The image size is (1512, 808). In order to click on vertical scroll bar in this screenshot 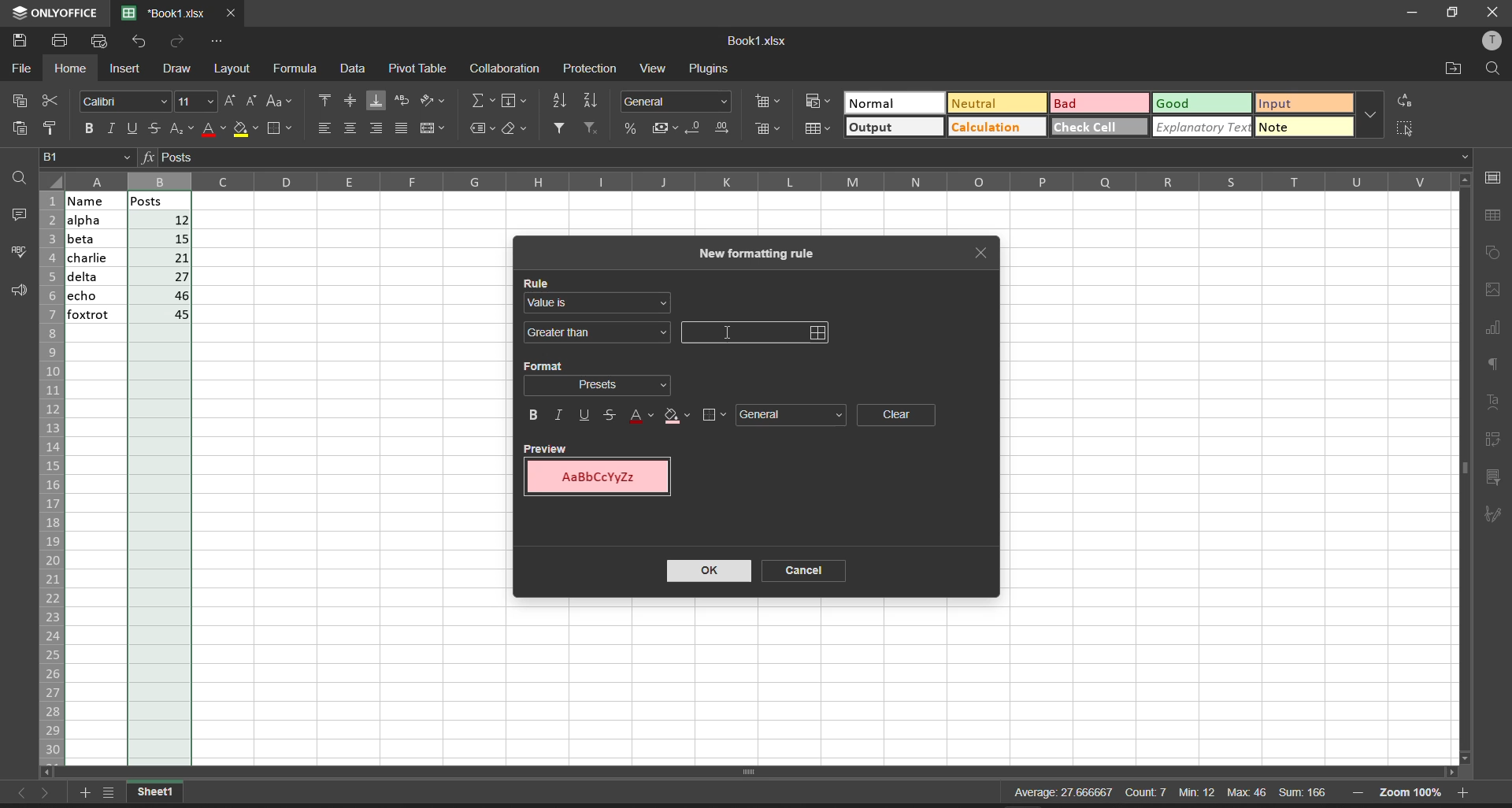, I will do `click(1466, 454)`.